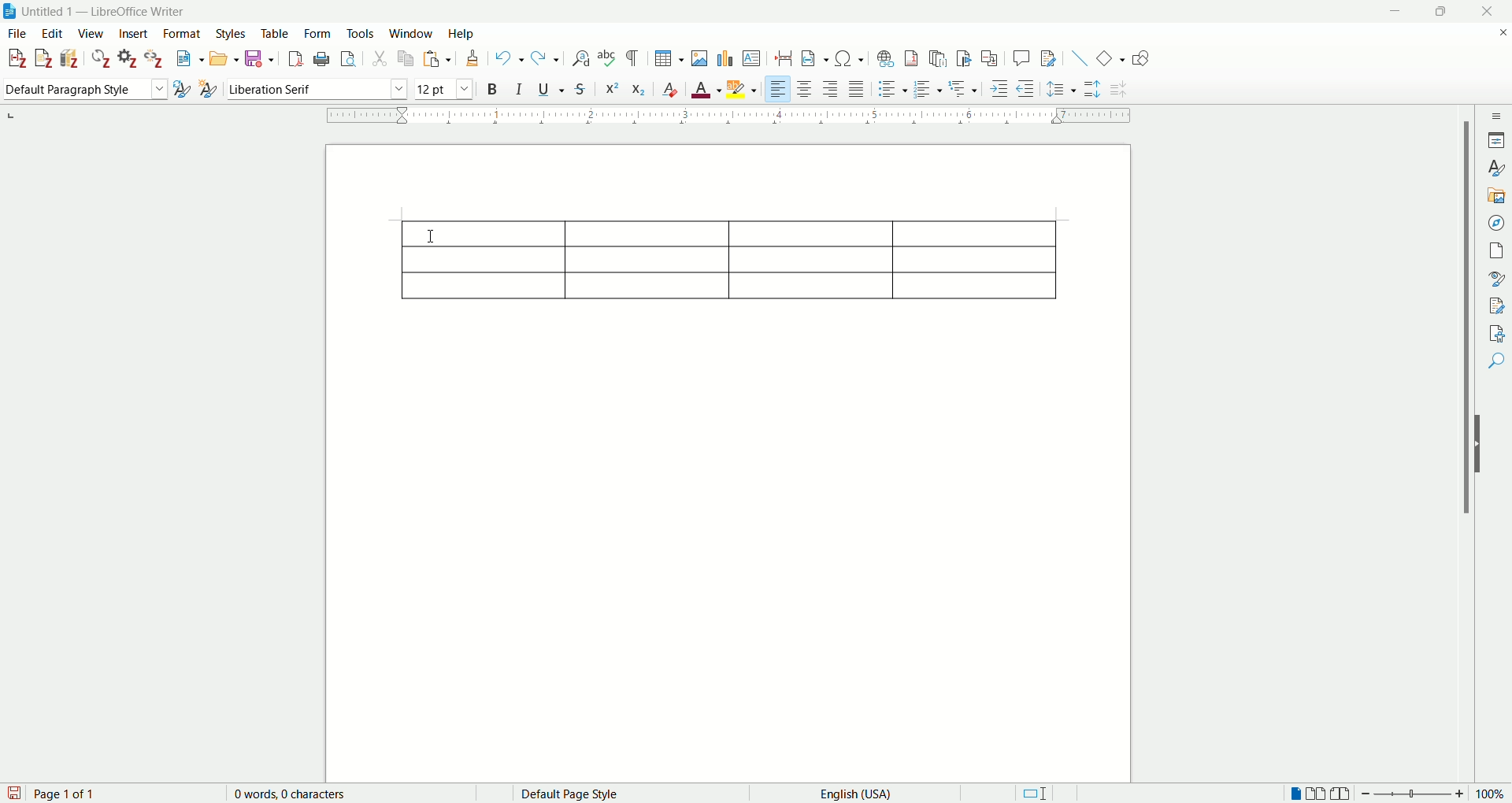 Image resolution: width=1512 pixels, height=803 pixels. I want to click on justified, so click(855, 91).